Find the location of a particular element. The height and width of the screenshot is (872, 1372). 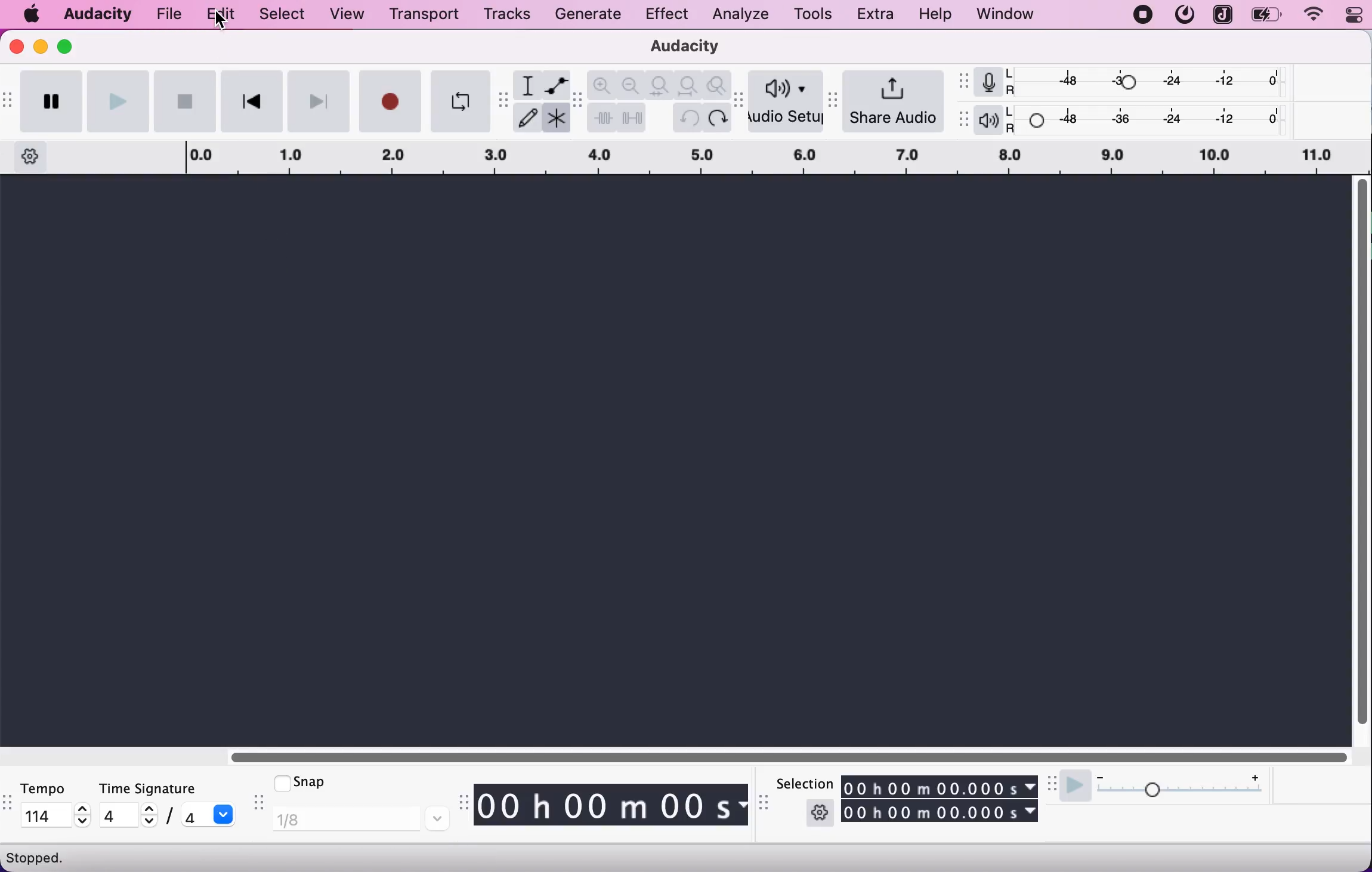

enable looping is located at coordinates (459, 101).